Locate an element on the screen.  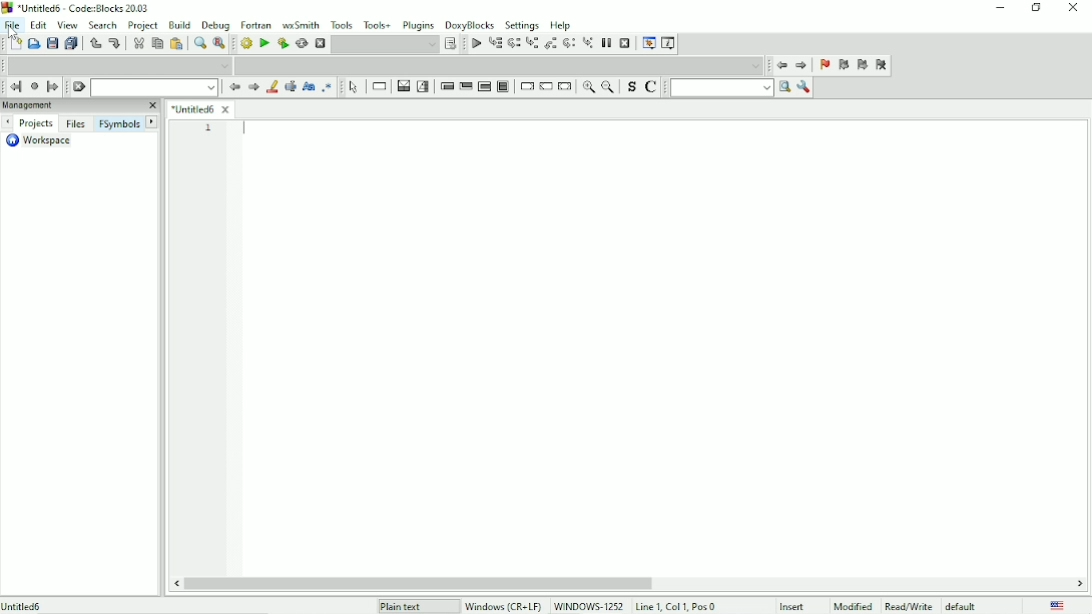
Prev is located at coordinates (7, 123).